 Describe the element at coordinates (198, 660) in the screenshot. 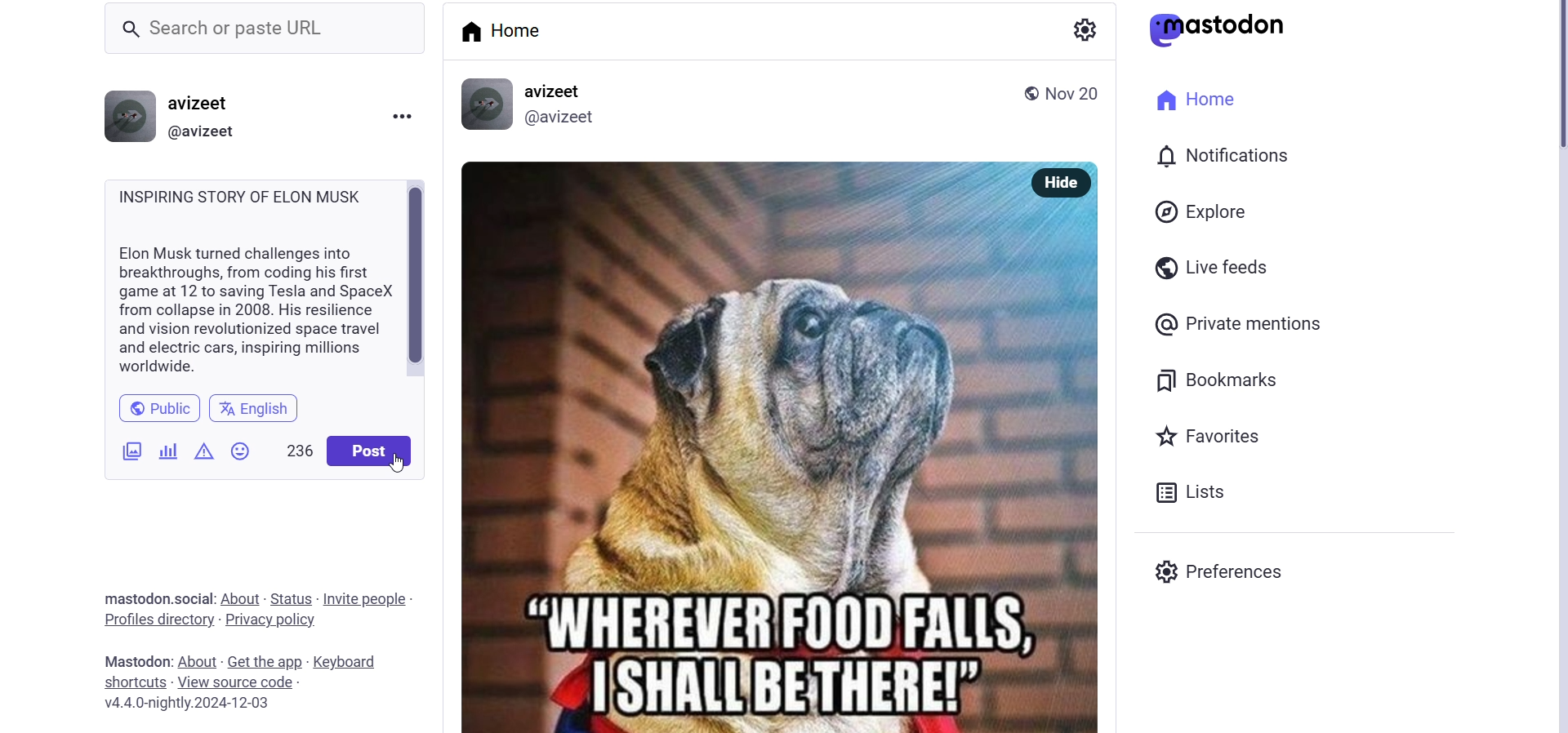

I see `about` at that location.